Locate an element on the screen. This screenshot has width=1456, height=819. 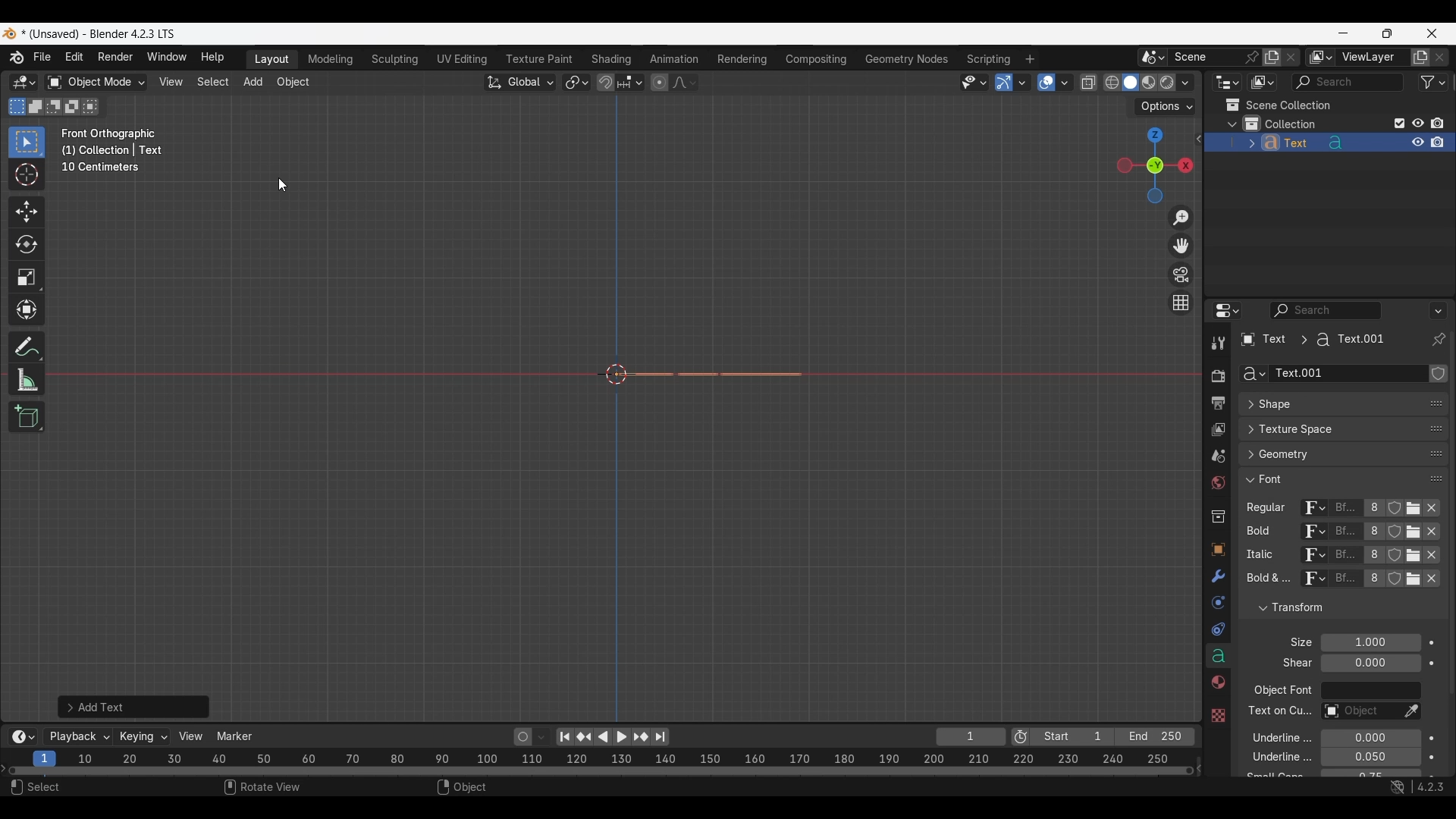
Pin scene to workspace is located at coordinates (1216, 57).